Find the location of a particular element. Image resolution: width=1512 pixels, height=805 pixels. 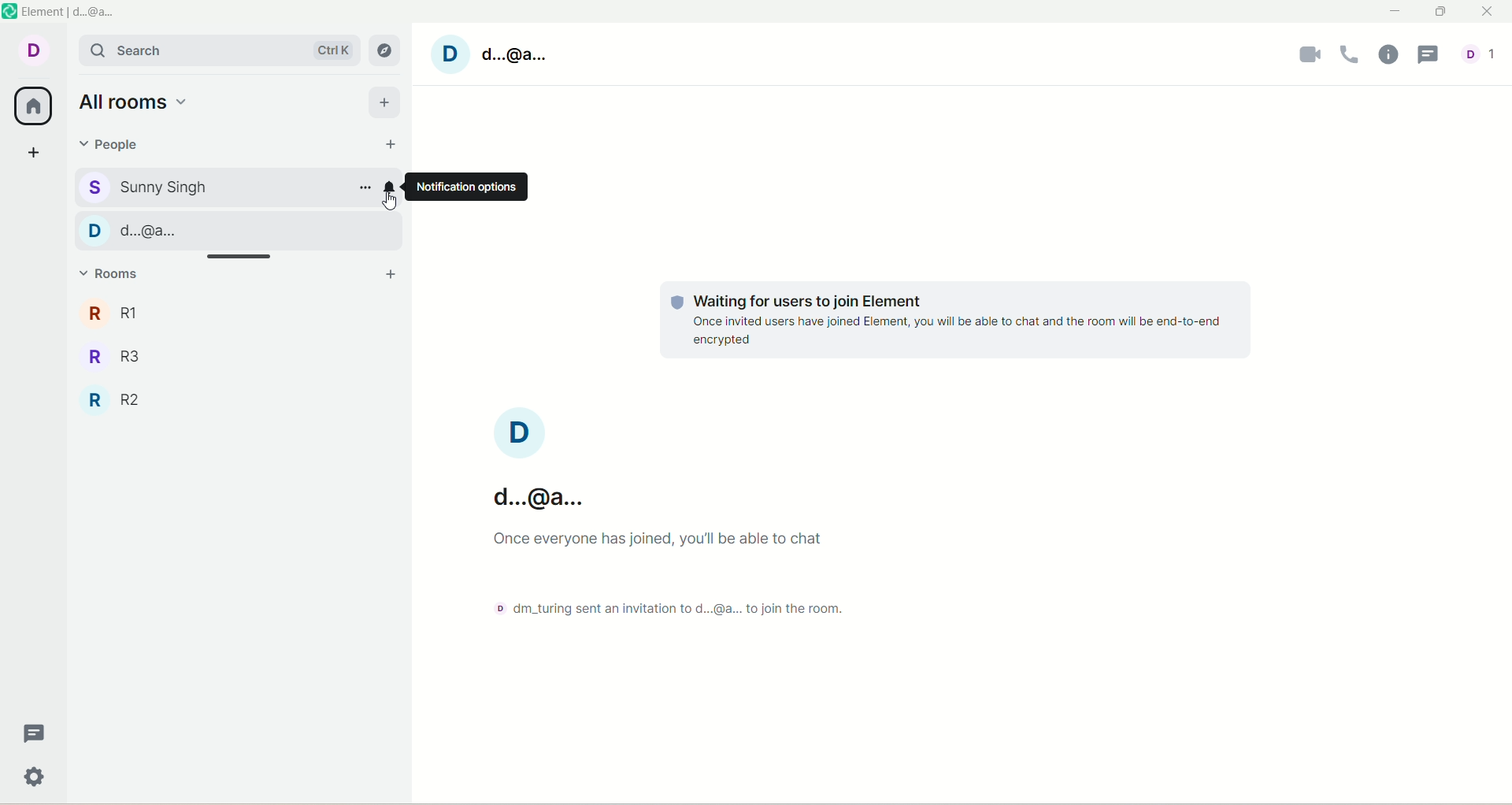

explore rooms is located at coordinates (387, 50).